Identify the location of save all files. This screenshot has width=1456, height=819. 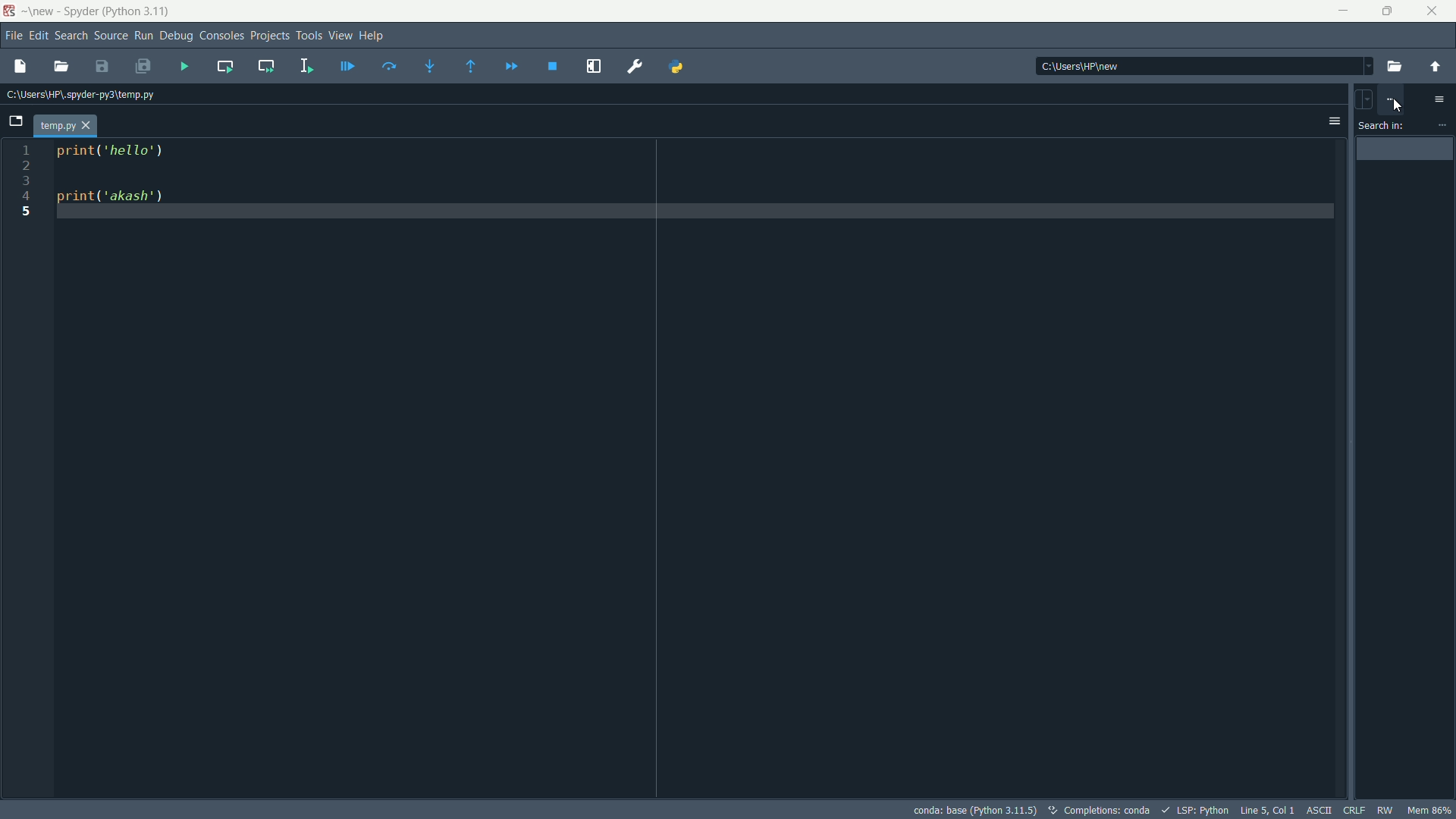
(146, 65).